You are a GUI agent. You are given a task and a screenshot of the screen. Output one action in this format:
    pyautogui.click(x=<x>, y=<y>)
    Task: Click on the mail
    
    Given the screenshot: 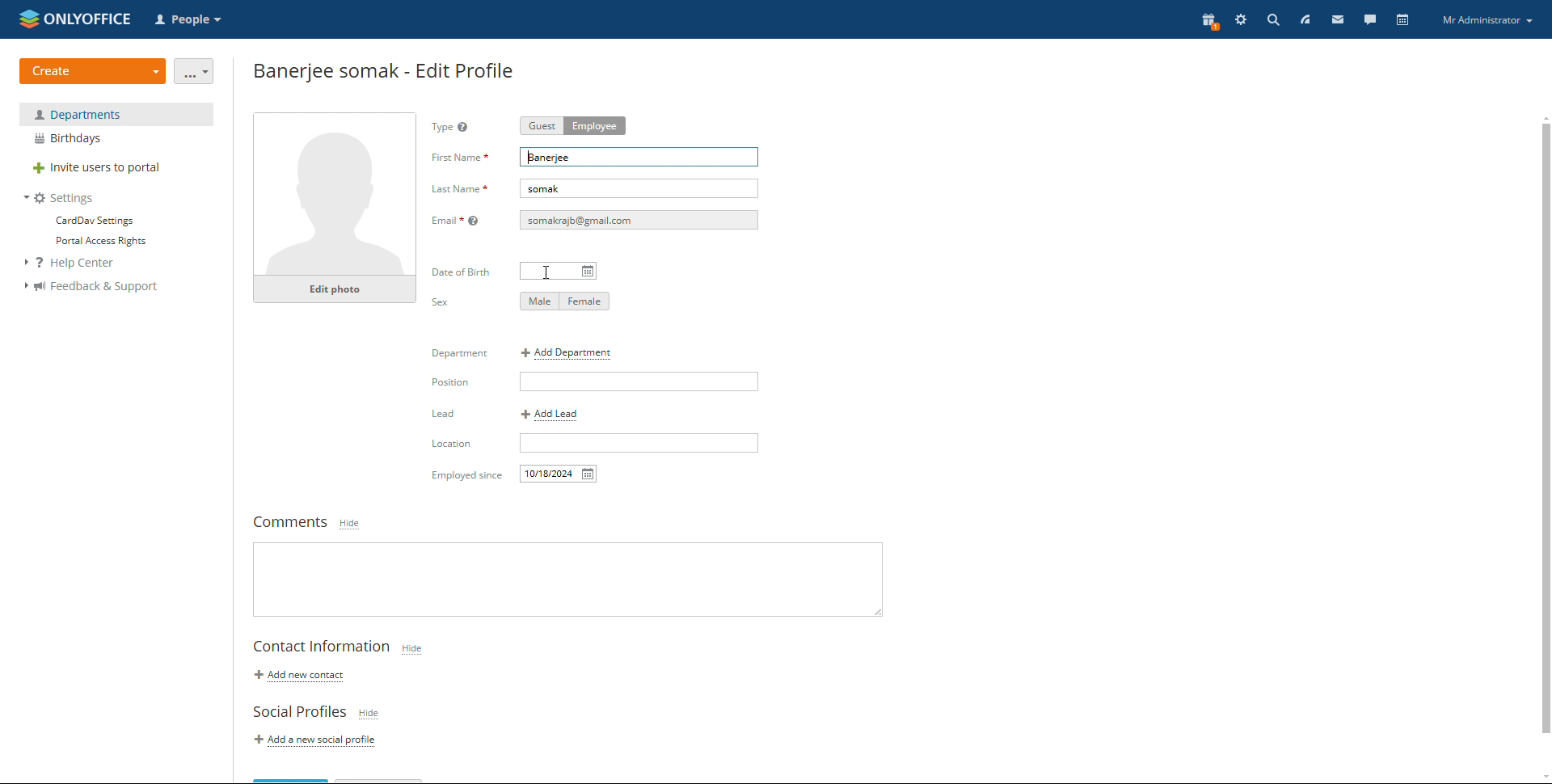 What is the action you would take?
    pyautogui.click(x=1336, y=19)
    